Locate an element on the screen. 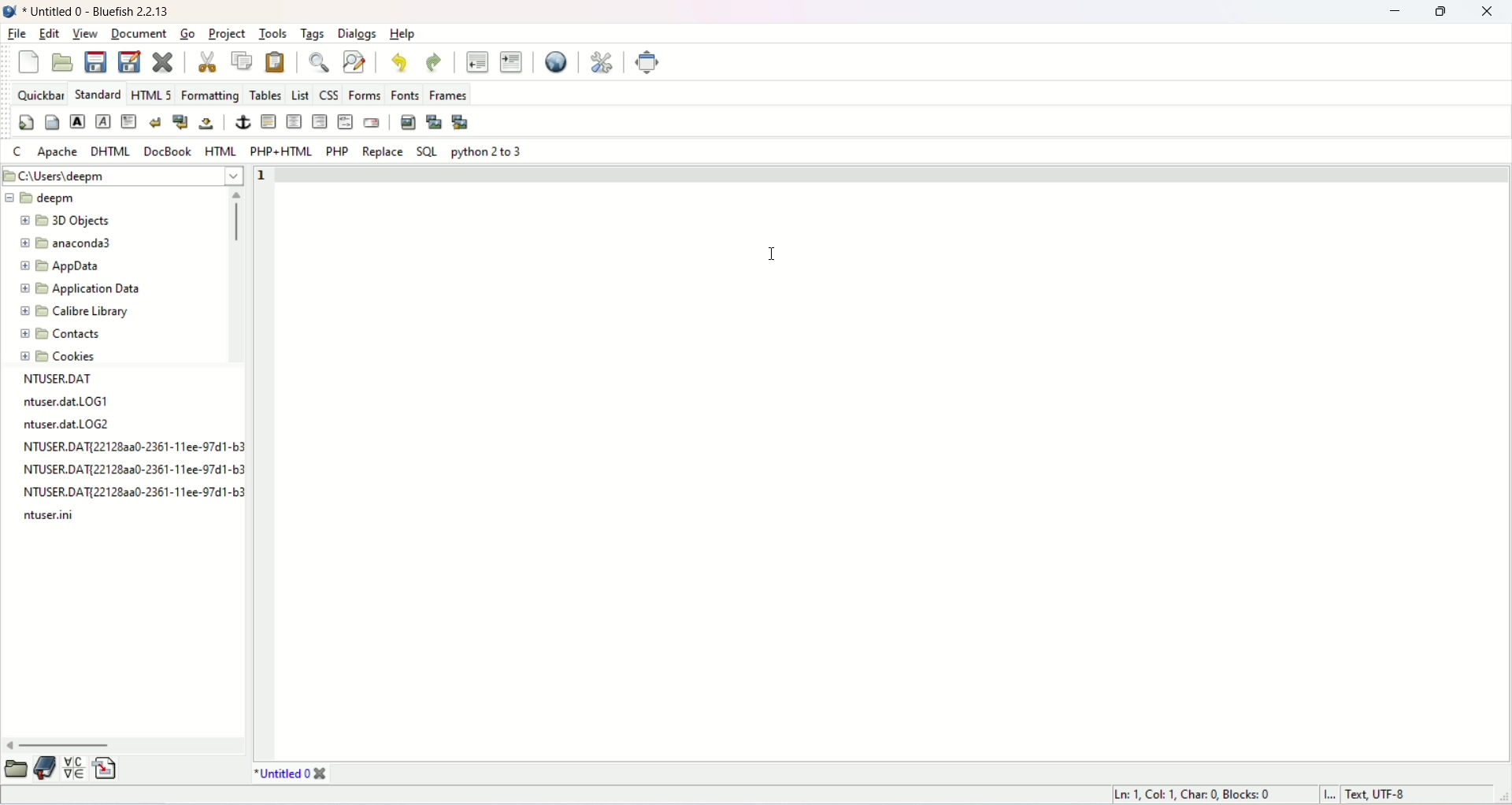  calibre is located at coordinates (72, 311).